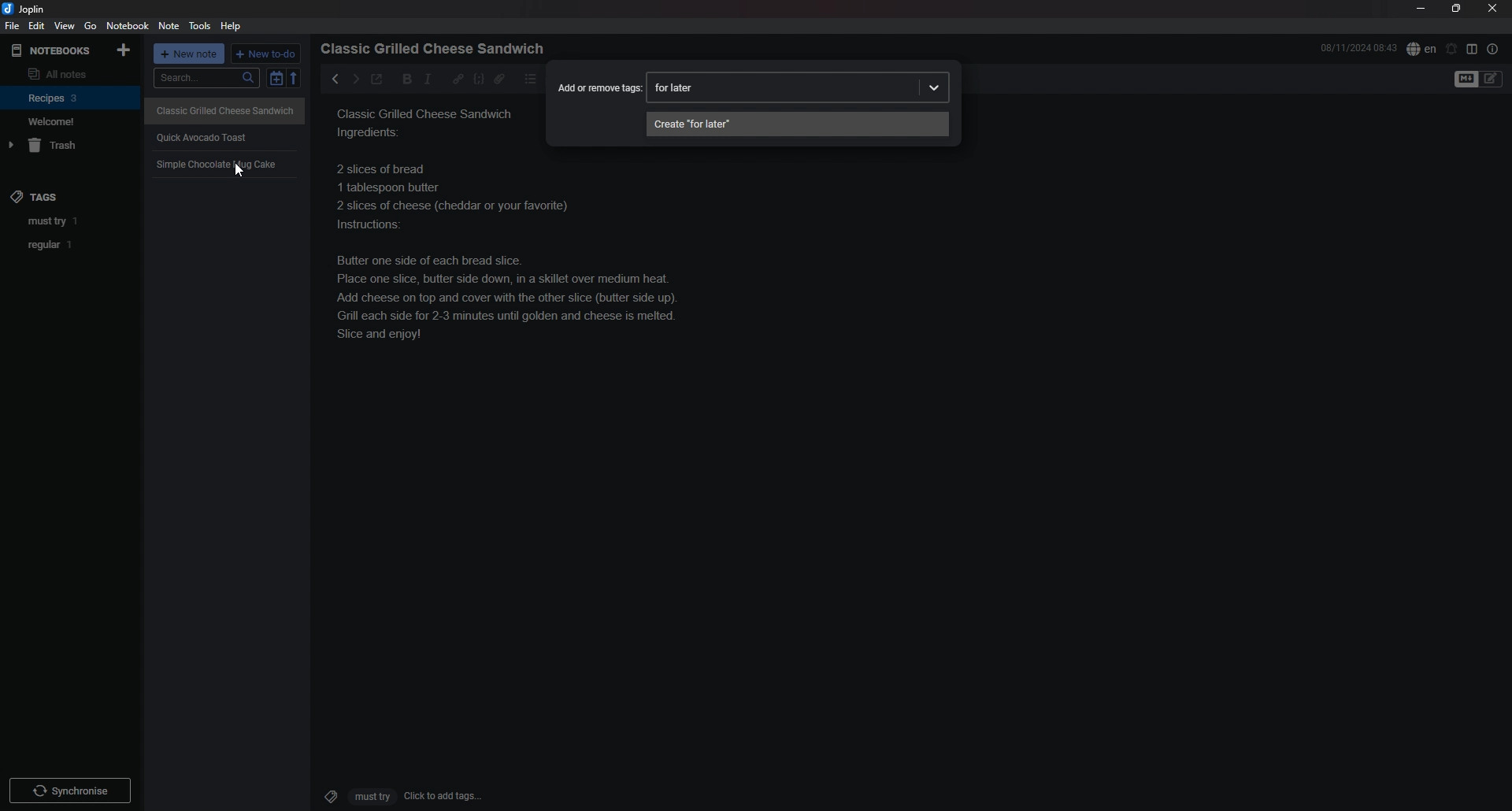  I want to click on tags, so click(36, 192).